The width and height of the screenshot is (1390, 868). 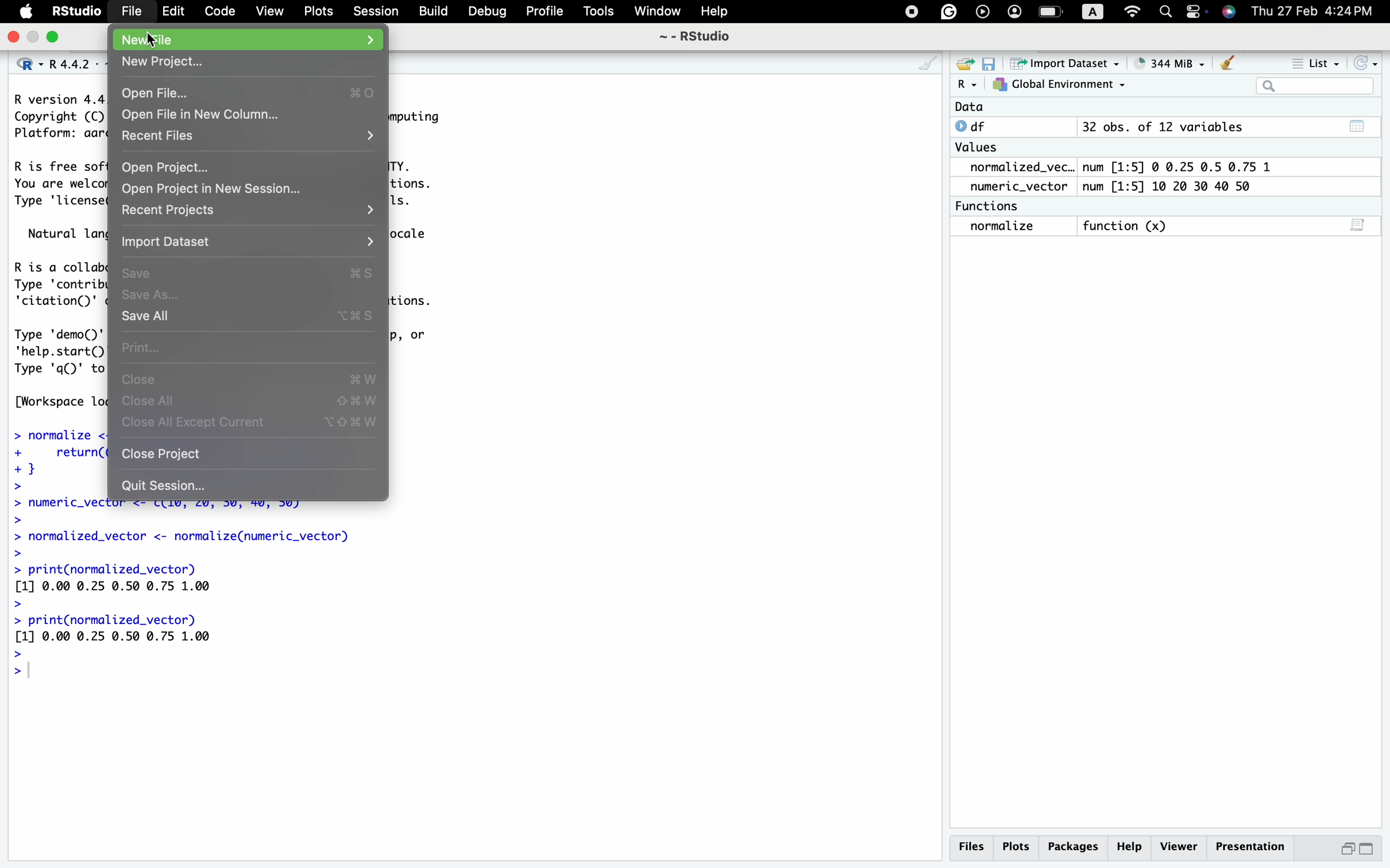 What do you see at coordinates (28, 64) in the screenshot?
I see `R dropodown` at bounding box center [28, 64].